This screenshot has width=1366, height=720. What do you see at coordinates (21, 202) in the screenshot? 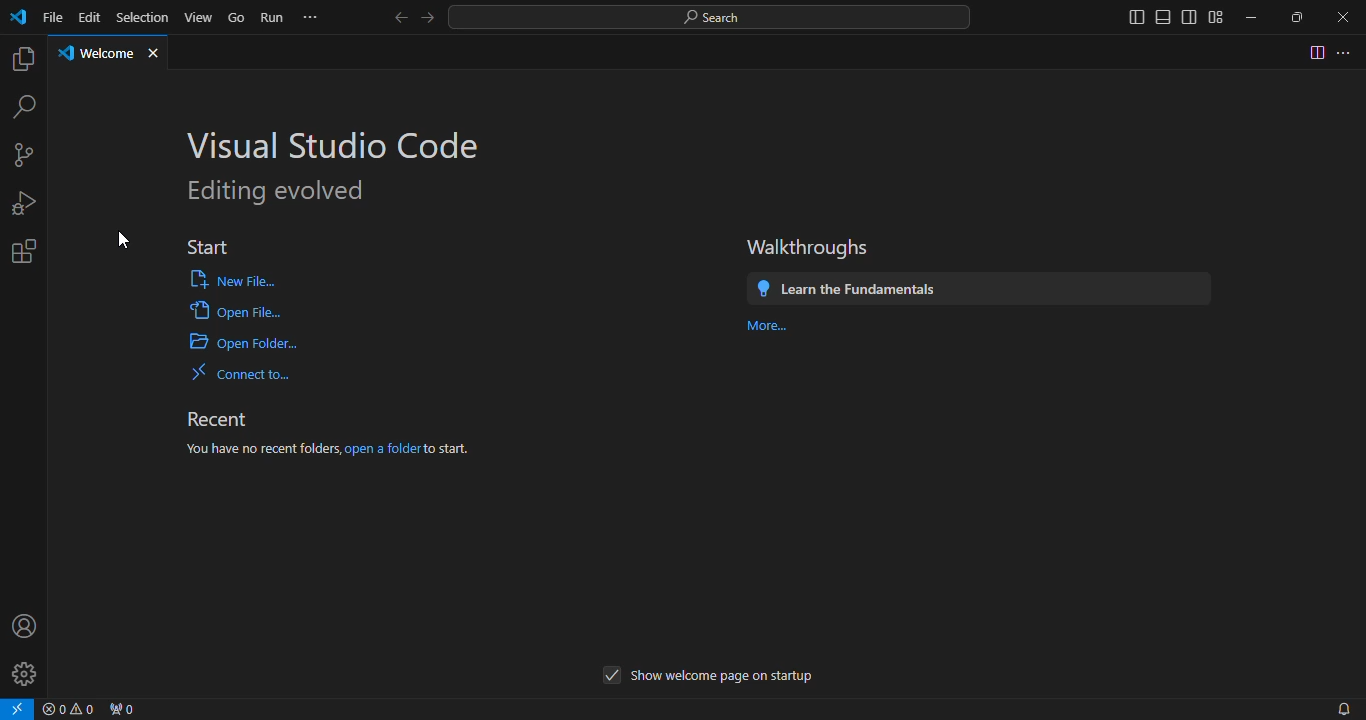
I see `bug` at bounding box center [21, 202].